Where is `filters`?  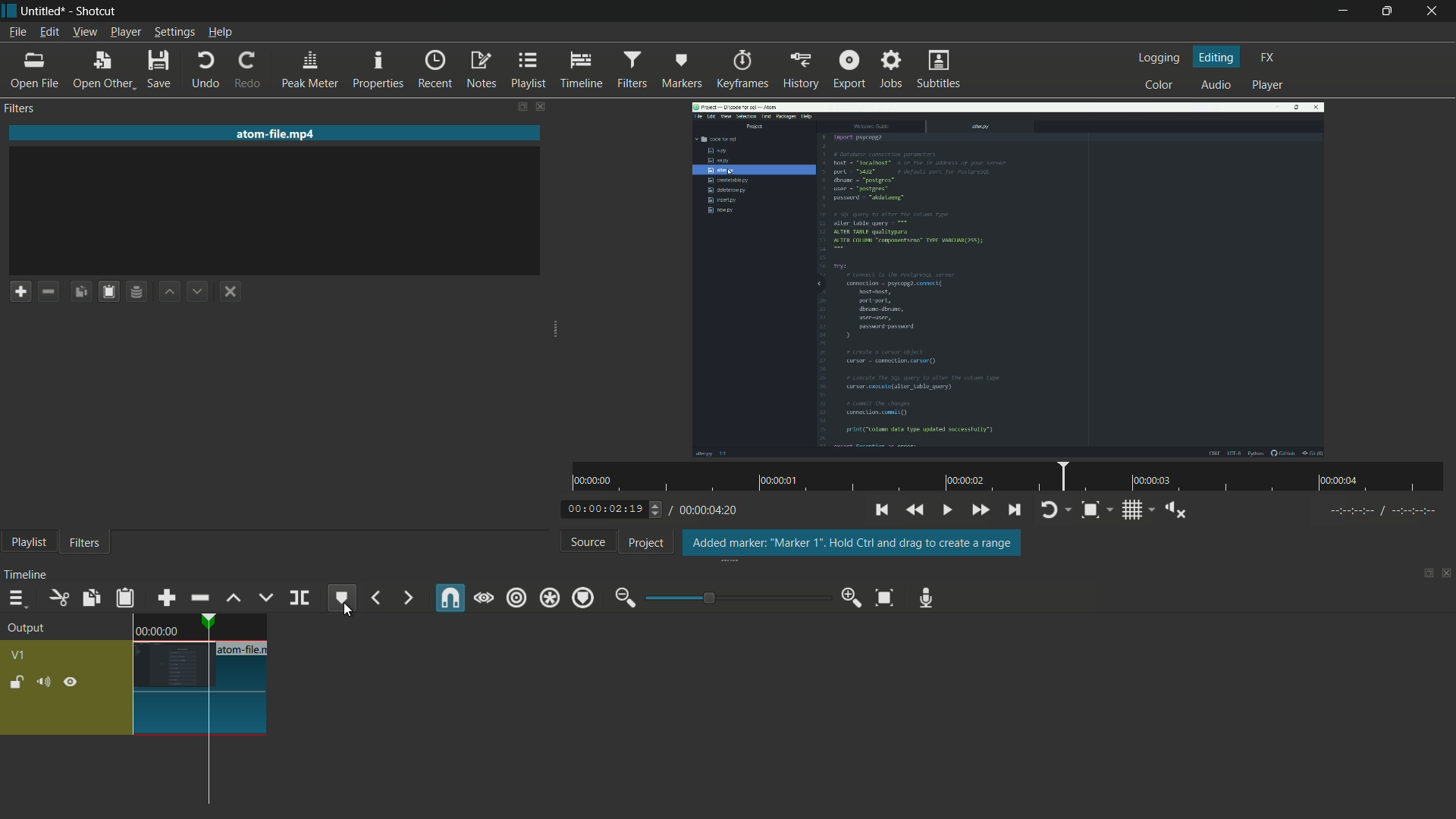 filters is located at coordinates (20, 108).